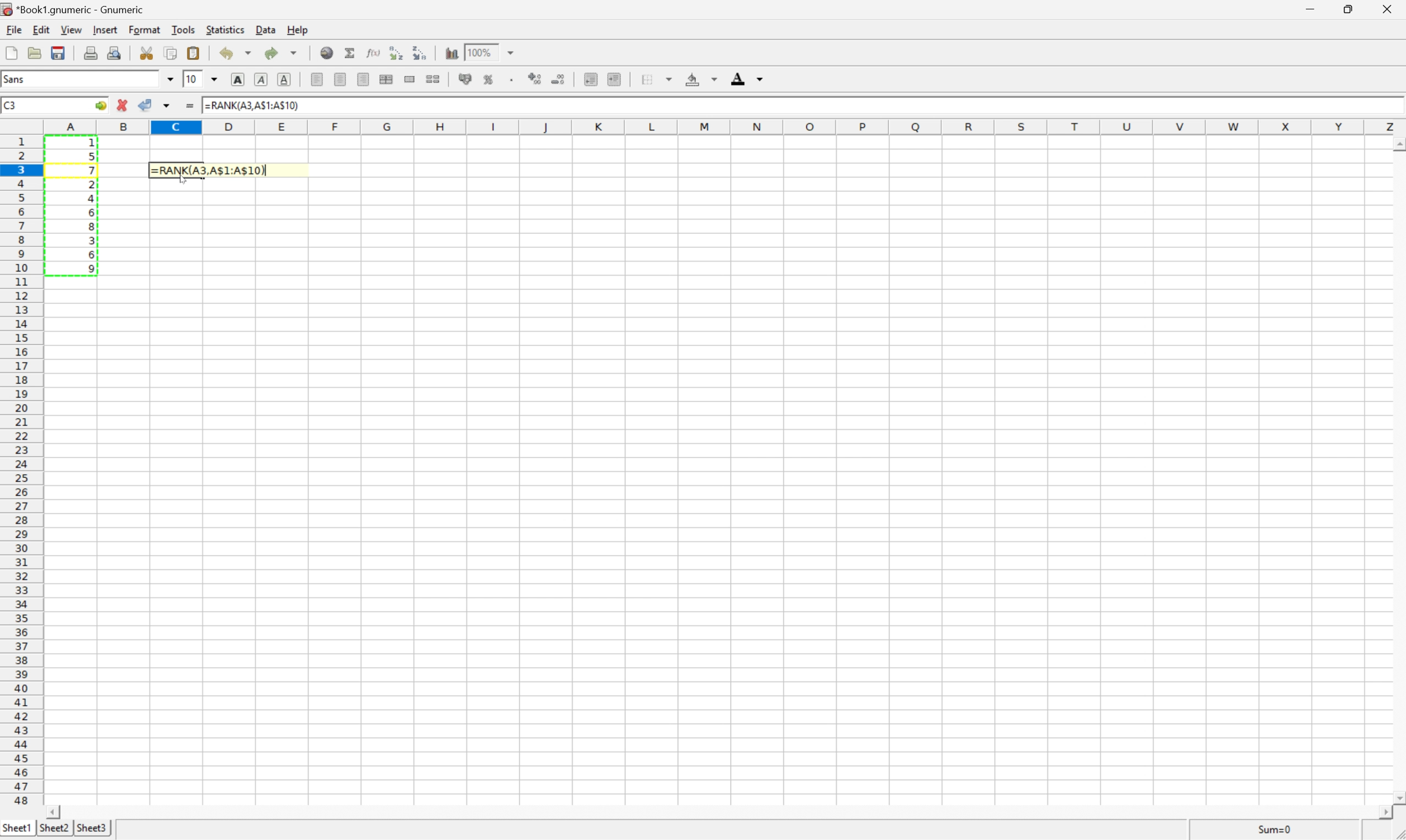 Image resolution: width=1406 pixels, height=840 pixels. I want to click on 10, so click(192, 79).